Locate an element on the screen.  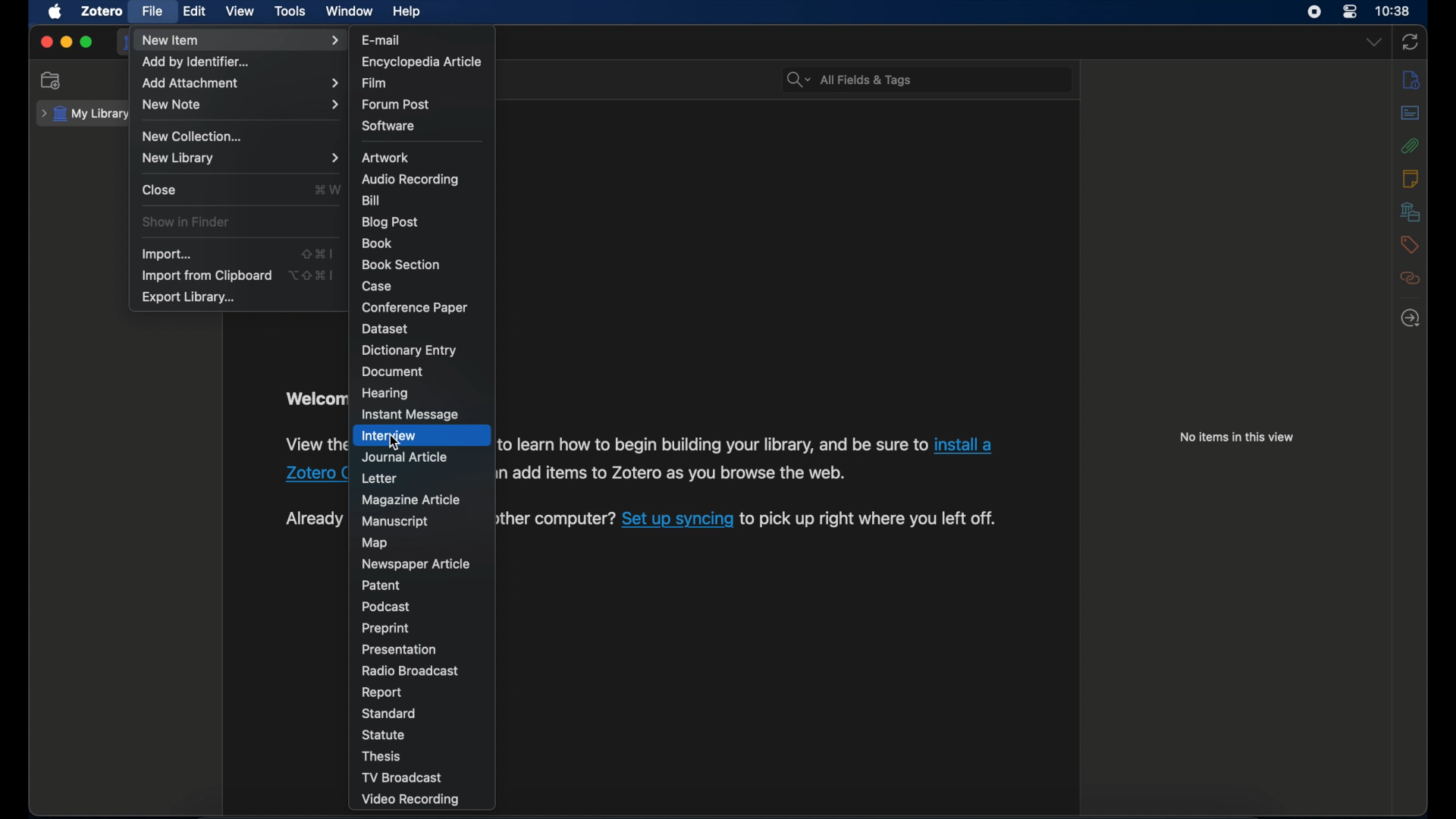
new collection is located at coordinates (52, 80).